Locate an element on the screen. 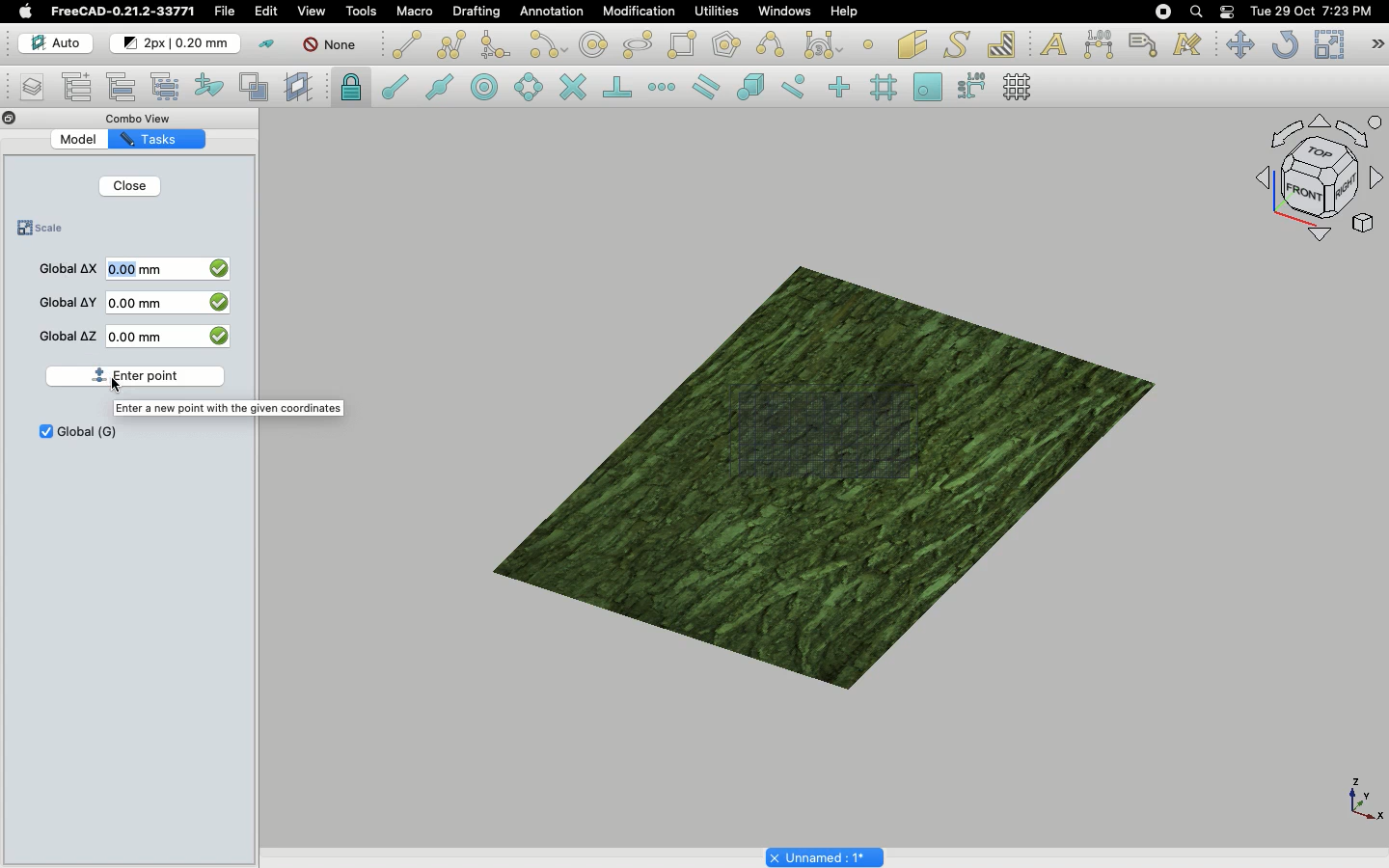 This screenshot has width=1389, height=868. Snap near is located at coordinates (793, 88).